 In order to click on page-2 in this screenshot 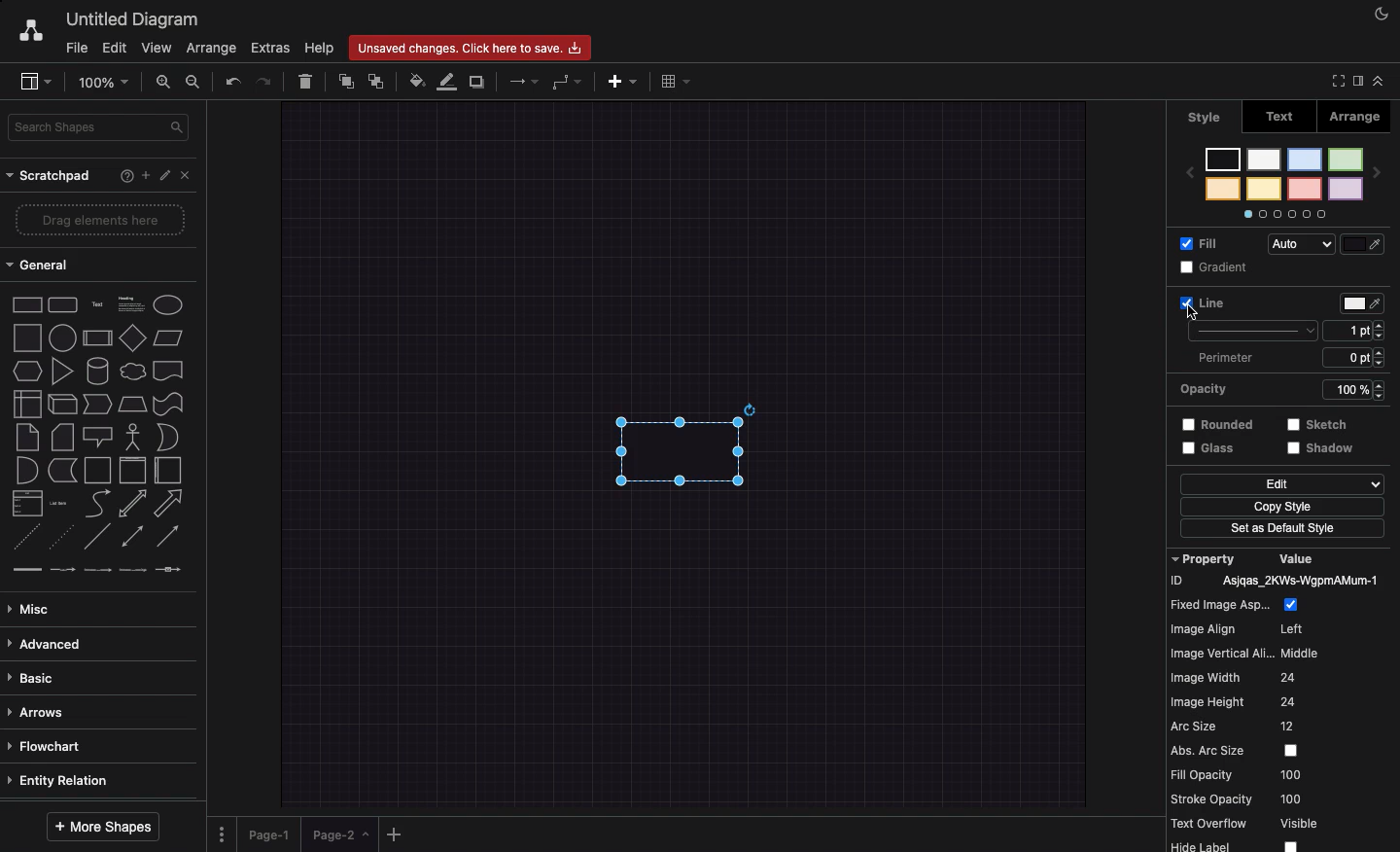, I will do `click(342, 834)`.